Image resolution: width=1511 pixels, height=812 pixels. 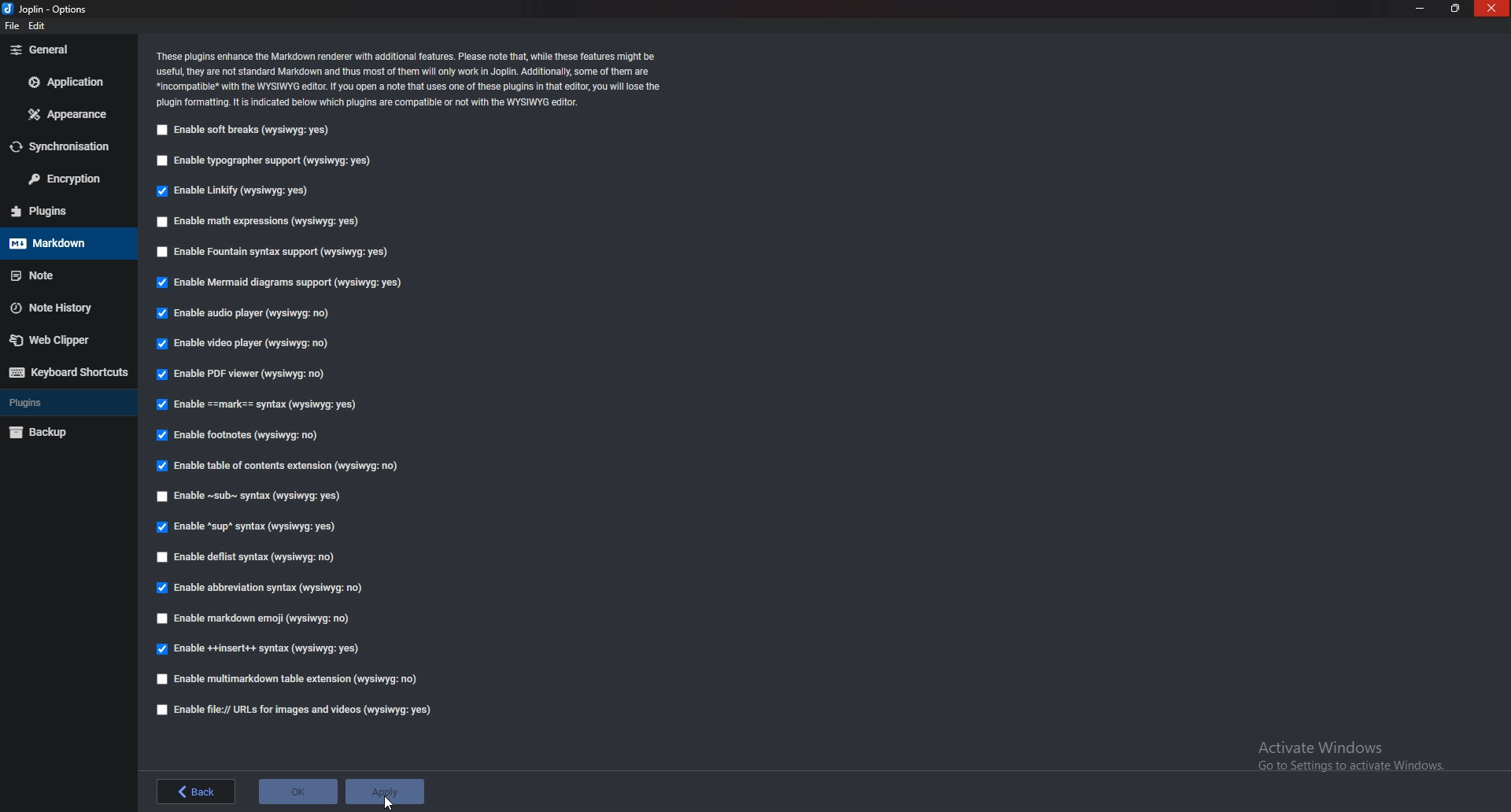 I want to click on Enable sub syntax, so click(x=253, y=497).